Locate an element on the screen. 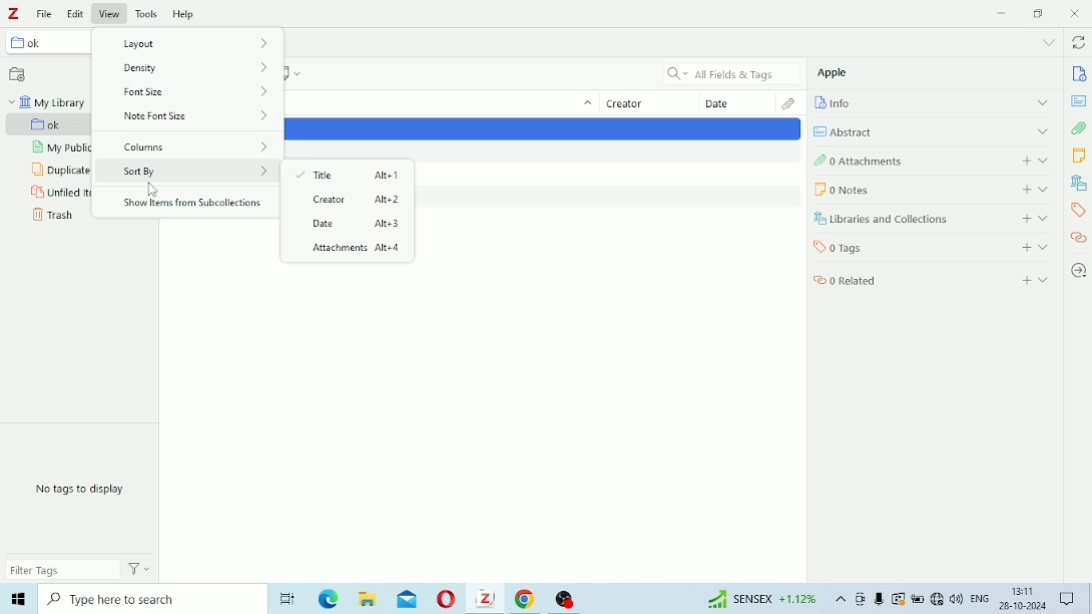 The height and width of the screenshot is (614, 1092). Notifications is located at coordinates (1069, 599).